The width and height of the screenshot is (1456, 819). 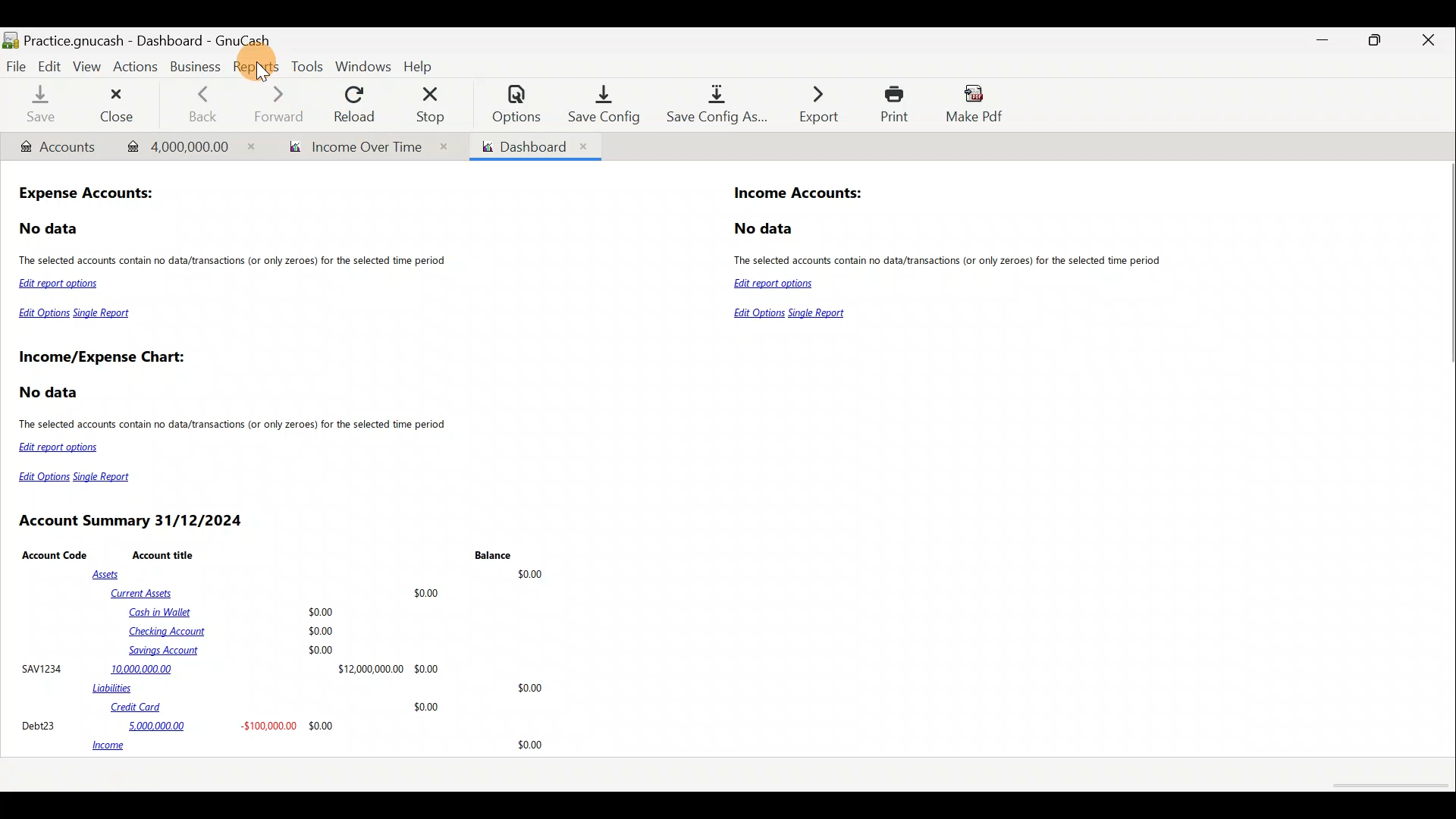 What do you see at coordinates (534, 146) in the screenshot?
I see `Dashboard` at bounding box center [534, 146].